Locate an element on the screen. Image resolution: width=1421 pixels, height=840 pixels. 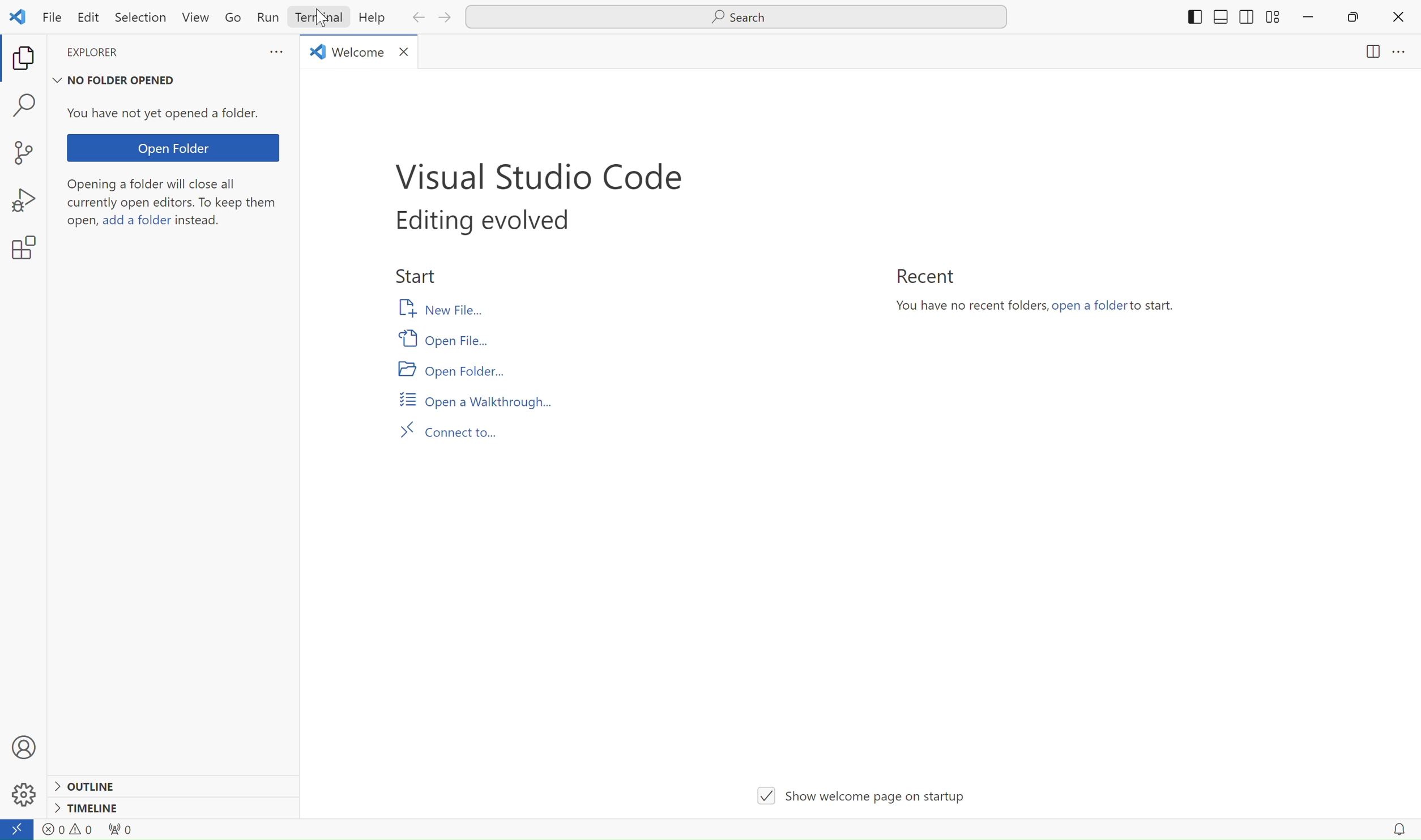
Selection is located at coordinates (143, 19).